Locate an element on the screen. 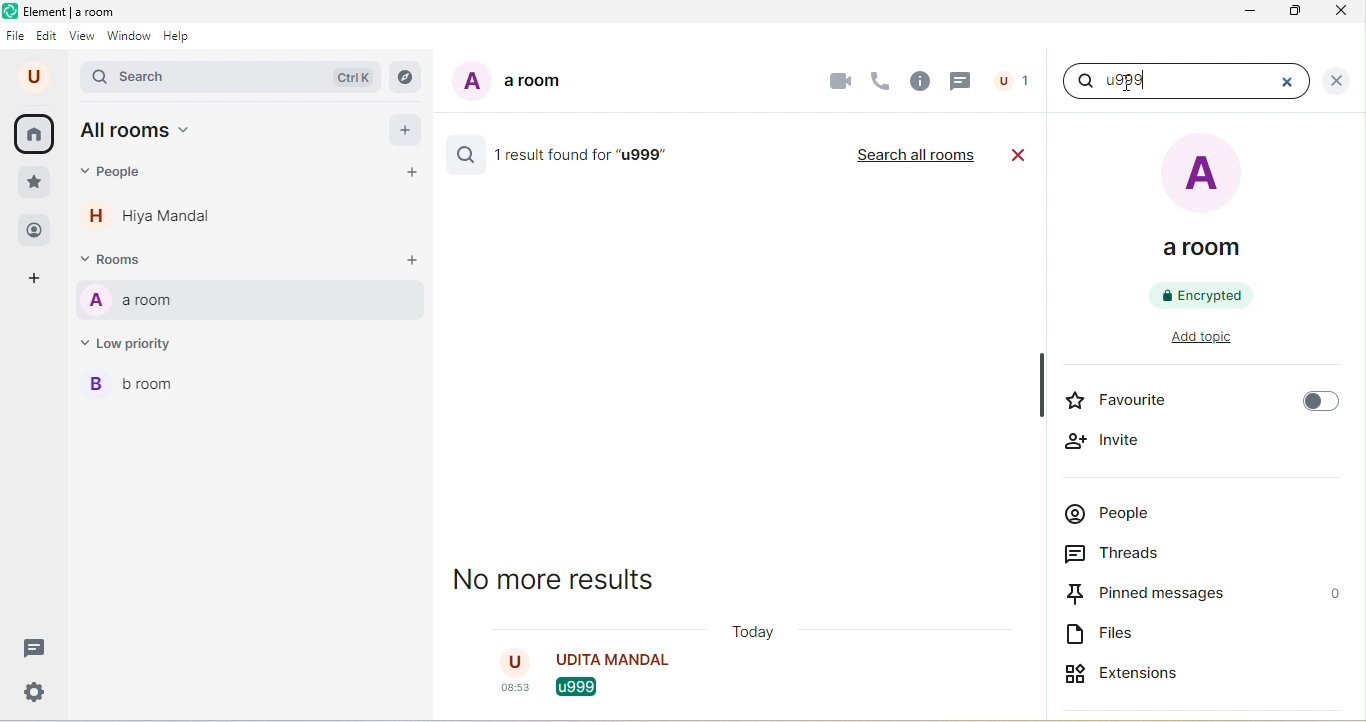  voice call is located at coordinates (881, 78).